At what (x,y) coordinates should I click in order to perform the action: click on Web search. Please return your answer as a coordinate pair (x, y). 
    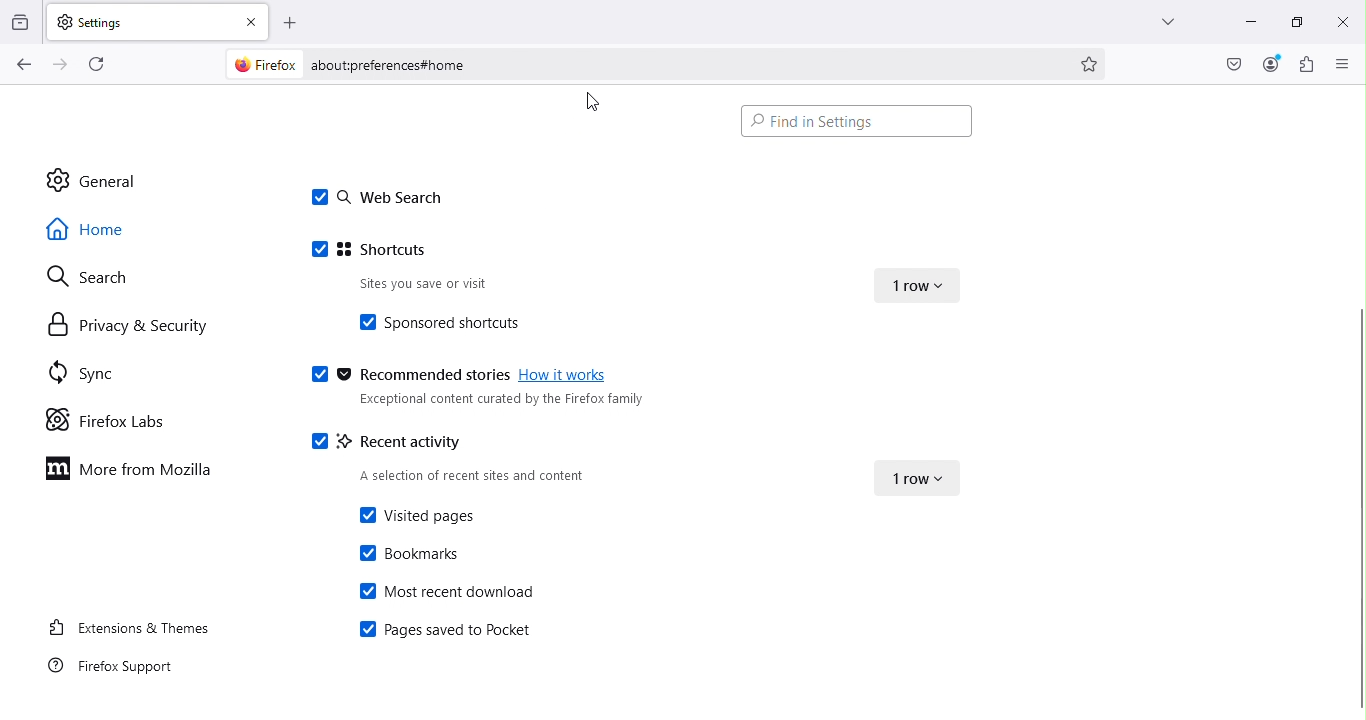
    Looking at the image, I should click on (375, 199).